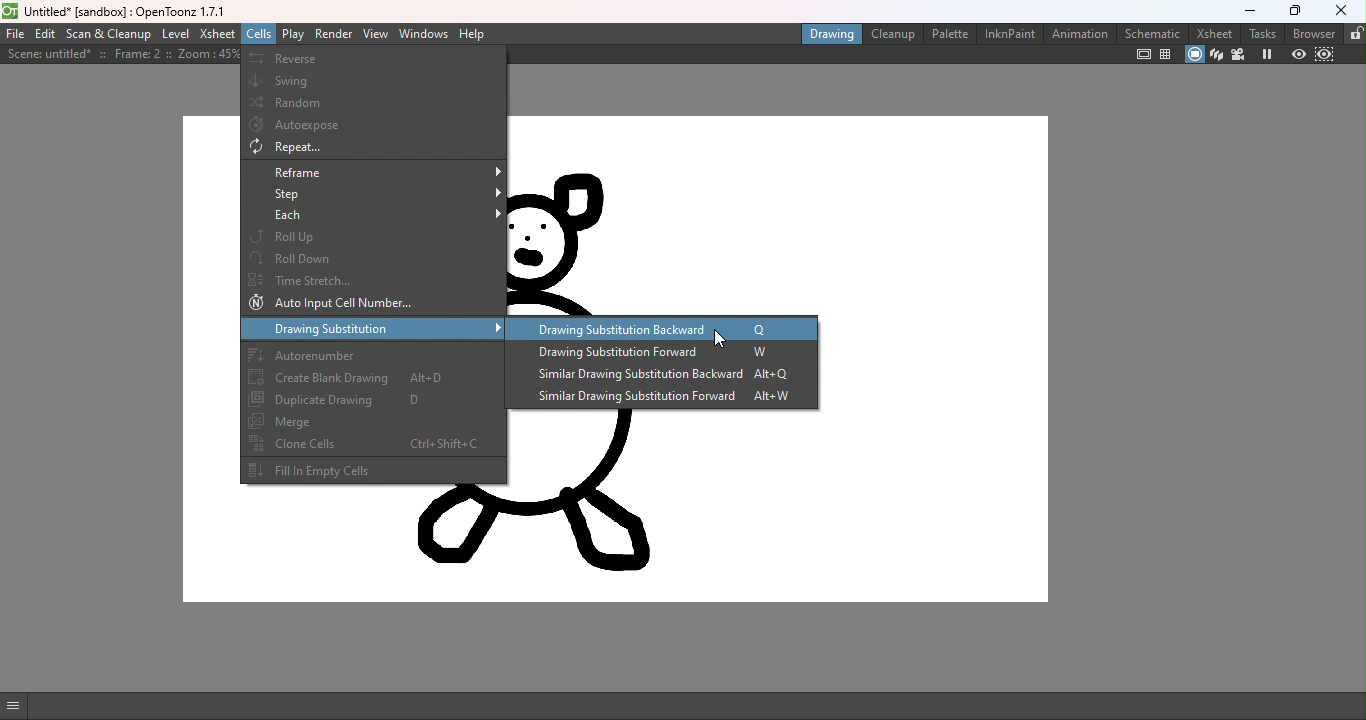 This screenshot has height=720, width=1366. What do you see at coordinates (660, 398) in the screenshot?
I see `Similar drawing substitution forward` at bounding box center [660, 398].